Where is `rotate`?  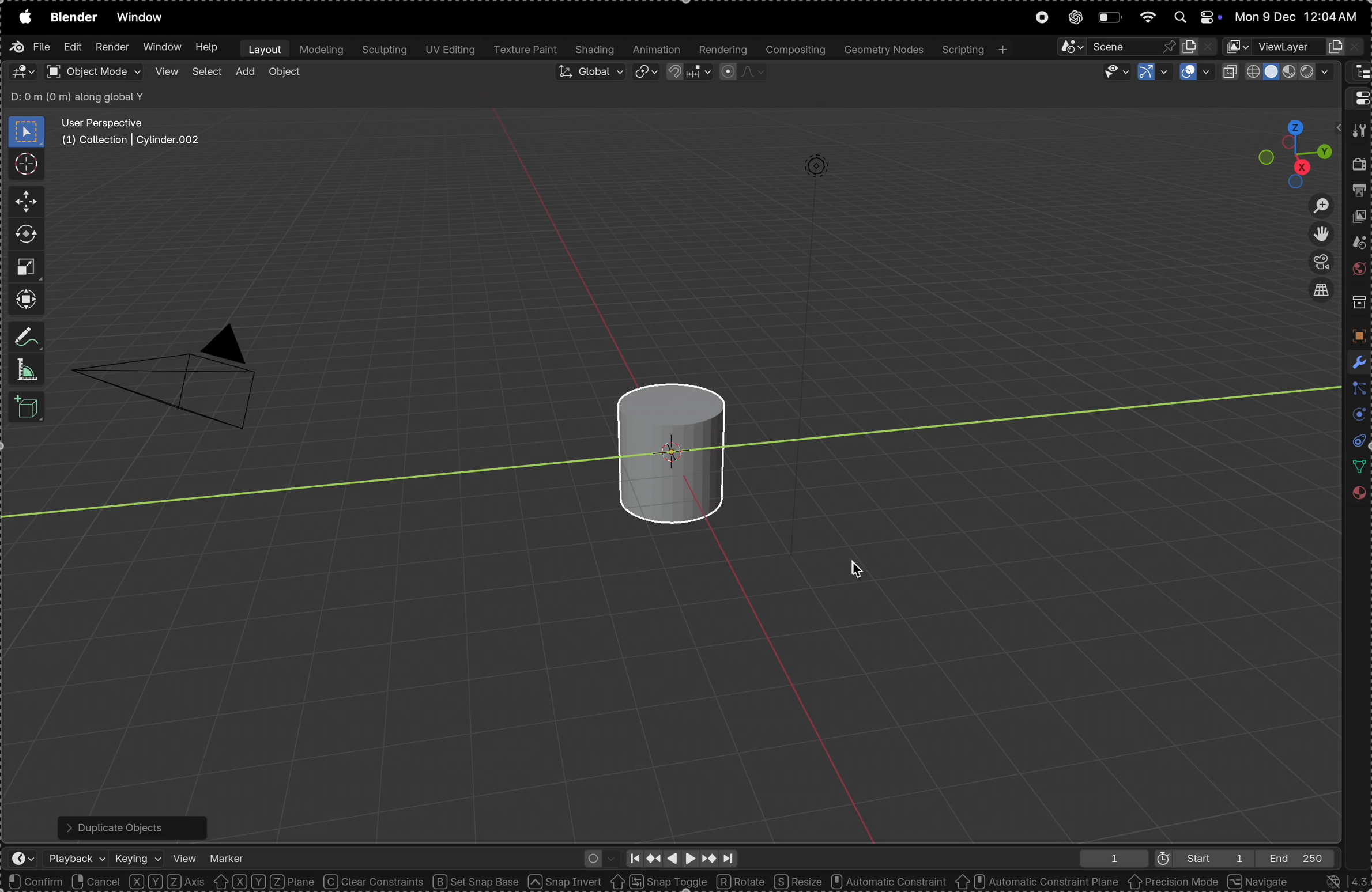 rotate is located at coordinates (742, 880).